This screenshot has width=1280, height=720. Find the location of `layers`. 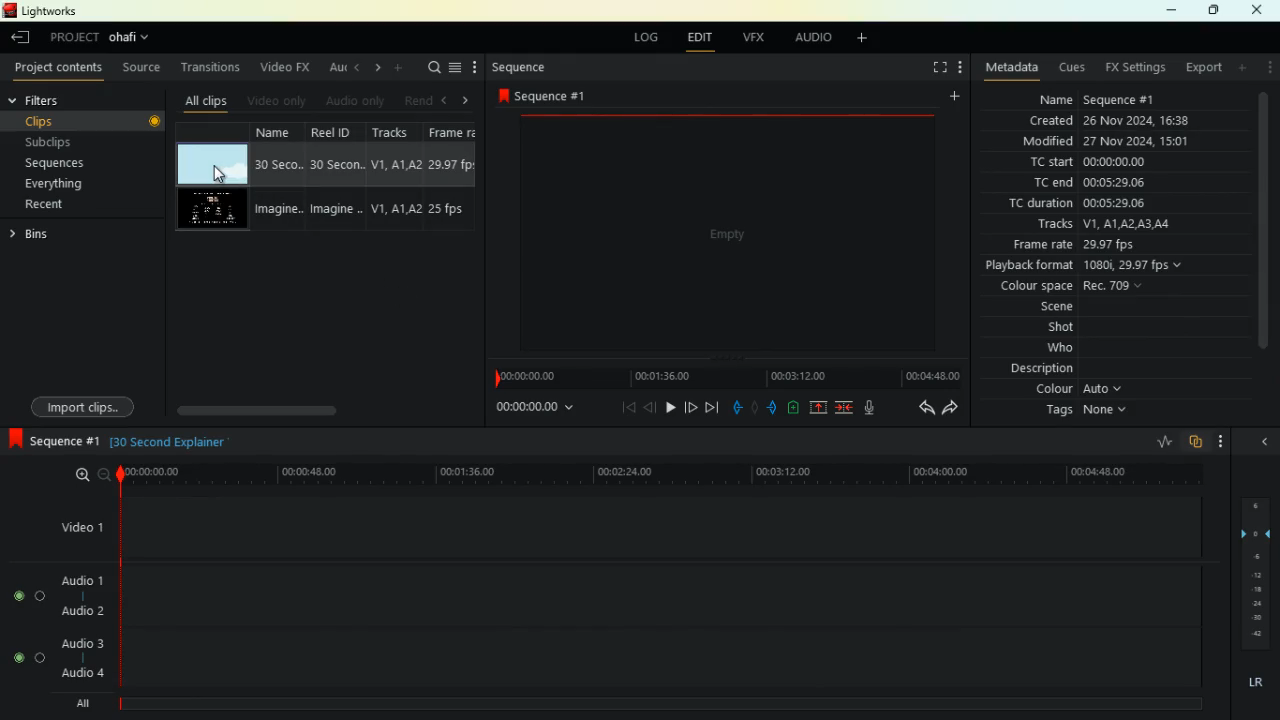

layers is located at coordinates (1254, 571).